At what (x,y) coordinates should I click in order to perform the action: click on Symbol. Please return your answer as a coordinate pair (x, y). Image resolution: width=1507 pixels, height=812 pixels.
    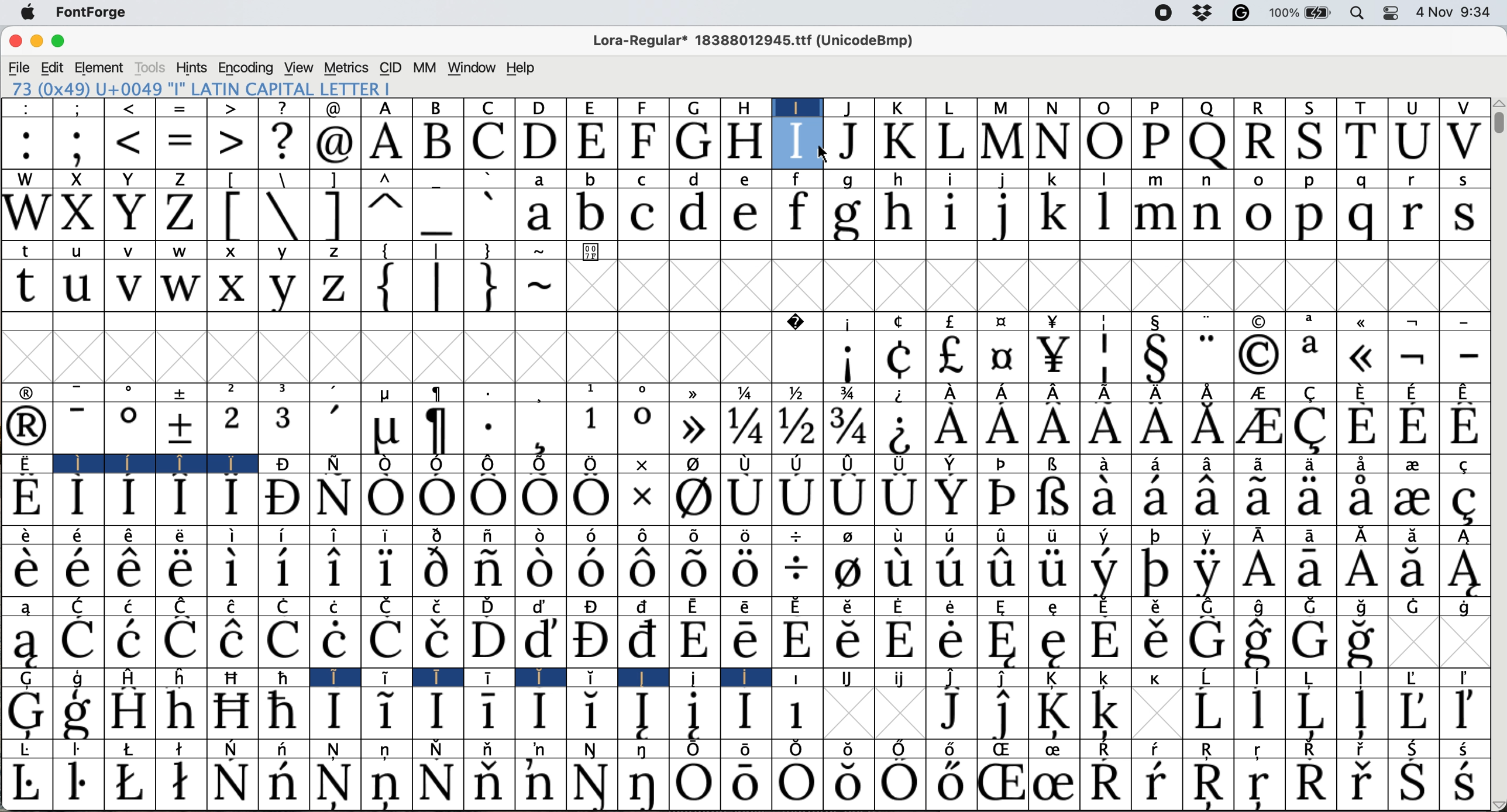
    Looking at the image, I should click on (642, 536).